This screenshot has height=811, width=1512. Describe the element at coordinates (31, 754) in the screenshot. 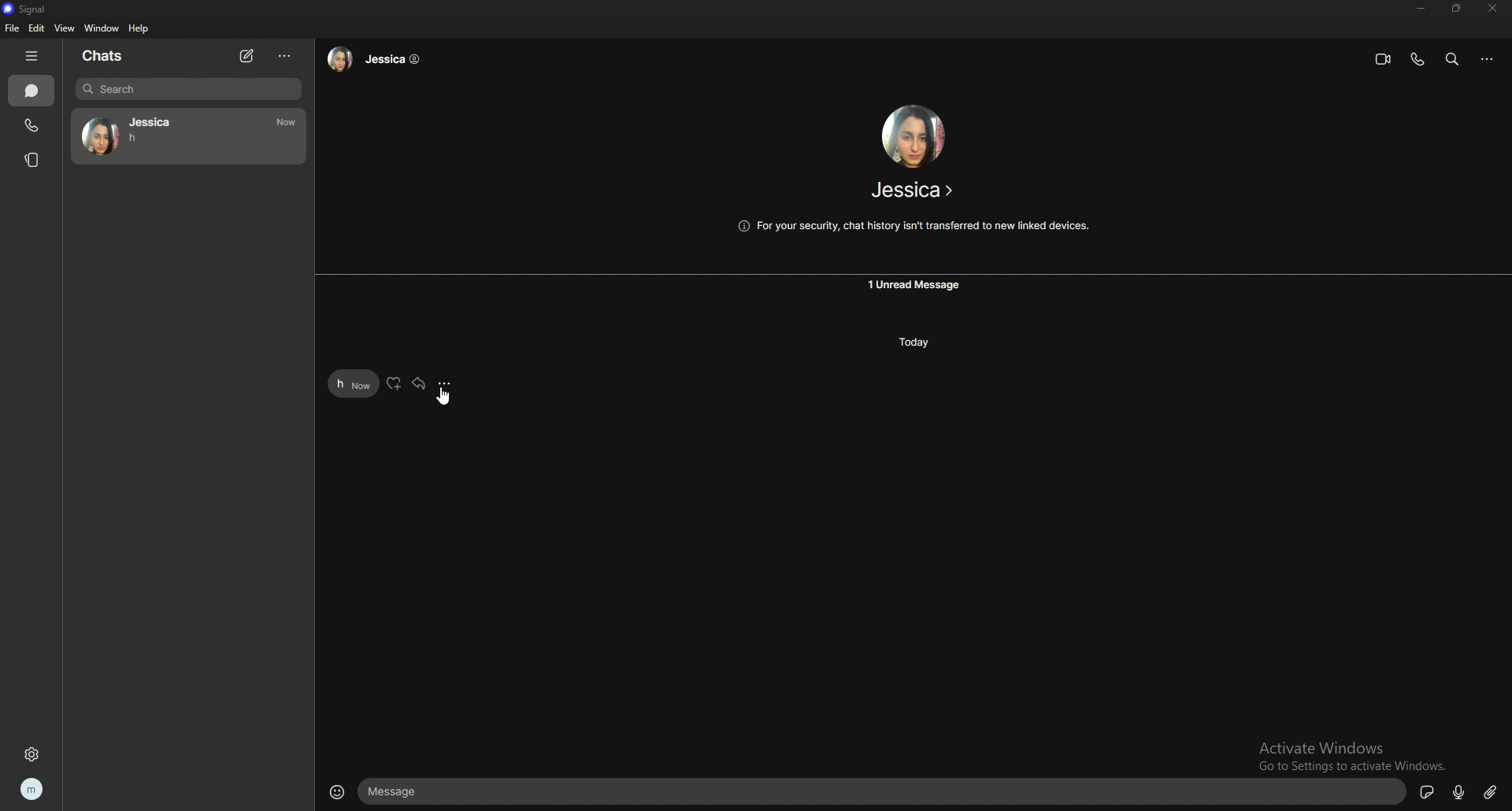

I see `settings` at that location.